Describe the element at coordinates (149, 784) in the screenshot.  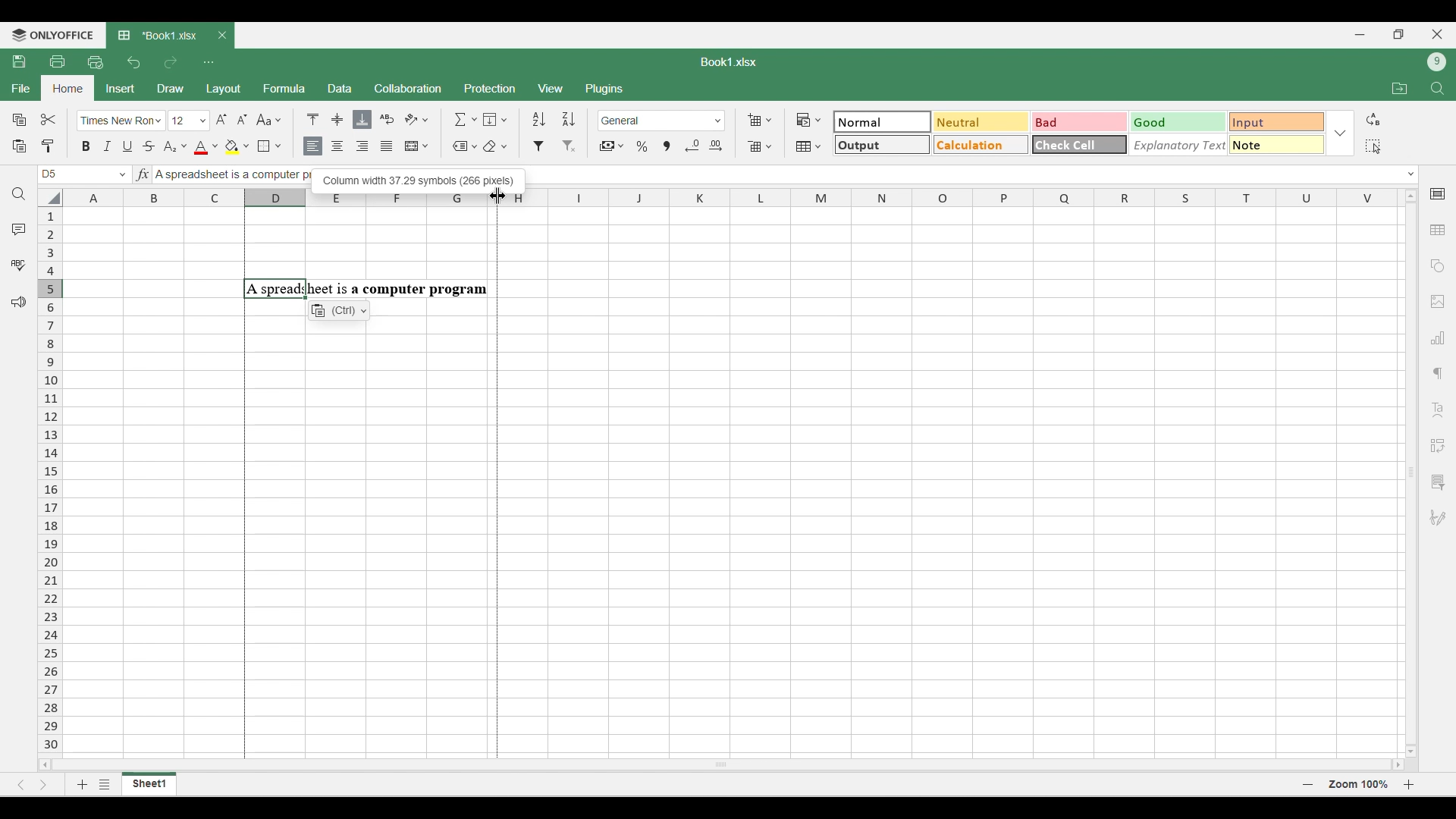
I see `Current sheet` at that location.